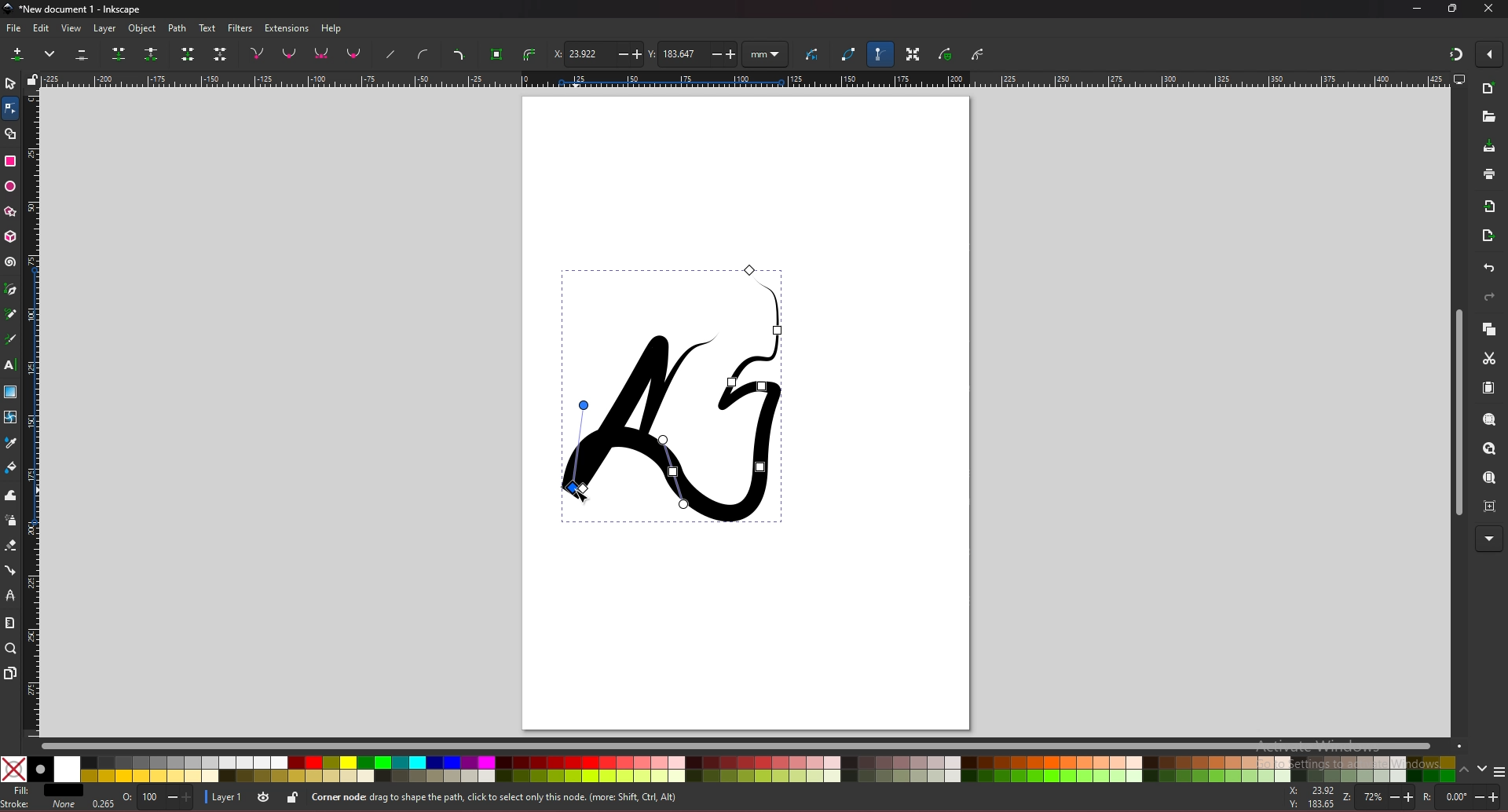 The image size is (1508, 812). What do you see at coordinates (814, 52) in the screenshot?
I see `curve` at bounding box center [814, 52].